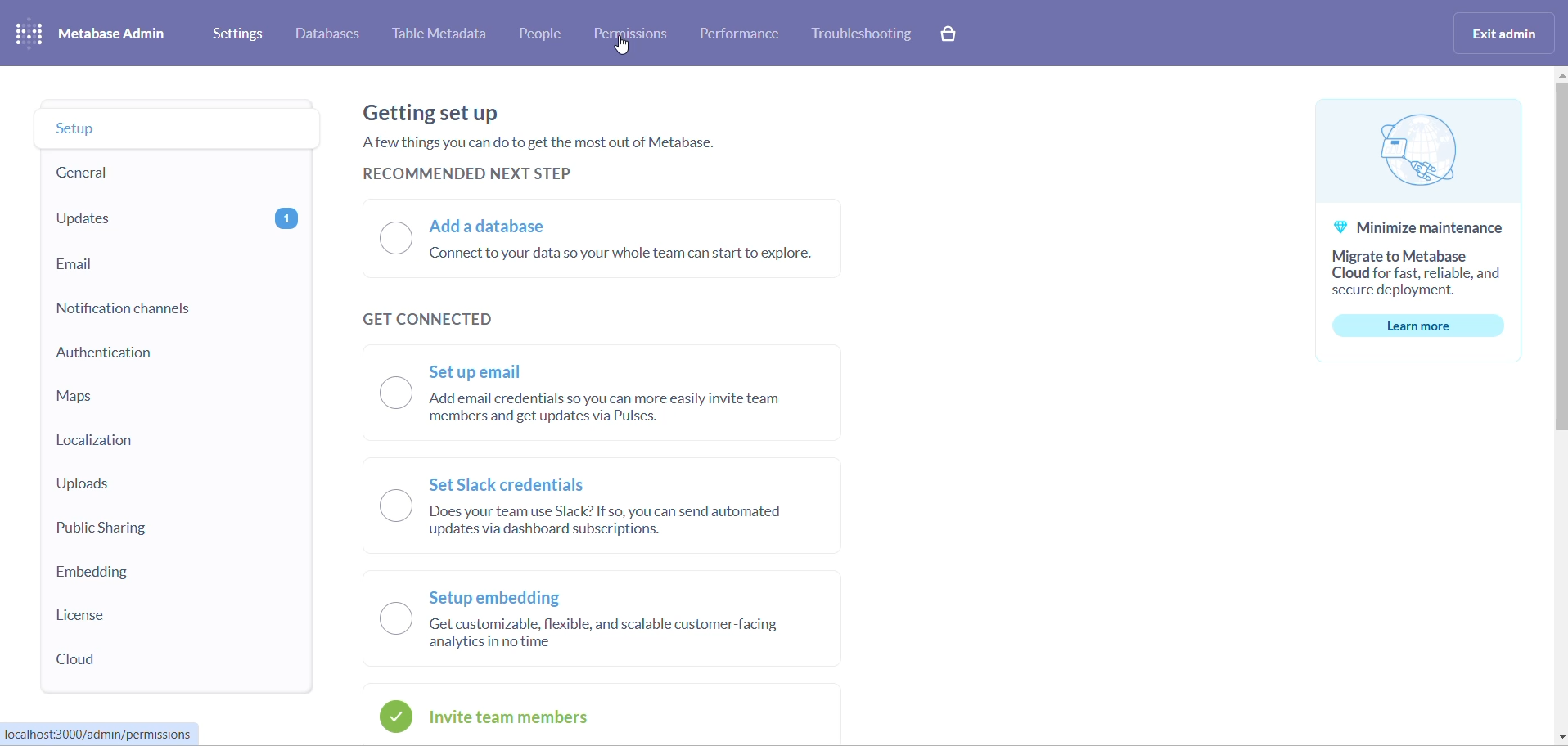 Image resolution: width=1568 pixels, height=746 pixels. What do you see at coordinates (151, 398) in the screenshot?
I see `maps` at bounding box center [151, 398].